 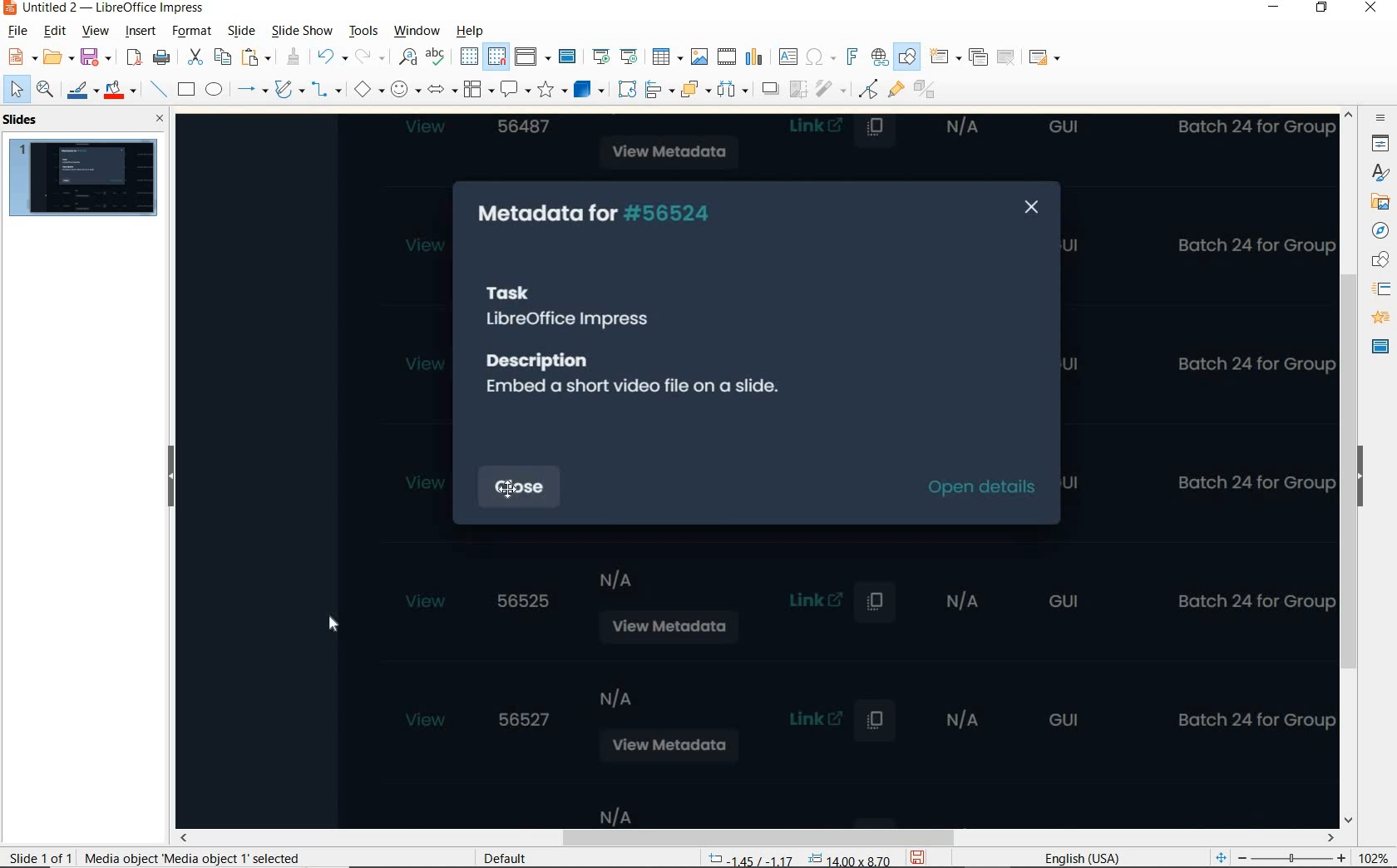 What do you see at coordinates (122, 91) in the screenshot?
I see `FILL COLOR` at bounding box center [122, 91].